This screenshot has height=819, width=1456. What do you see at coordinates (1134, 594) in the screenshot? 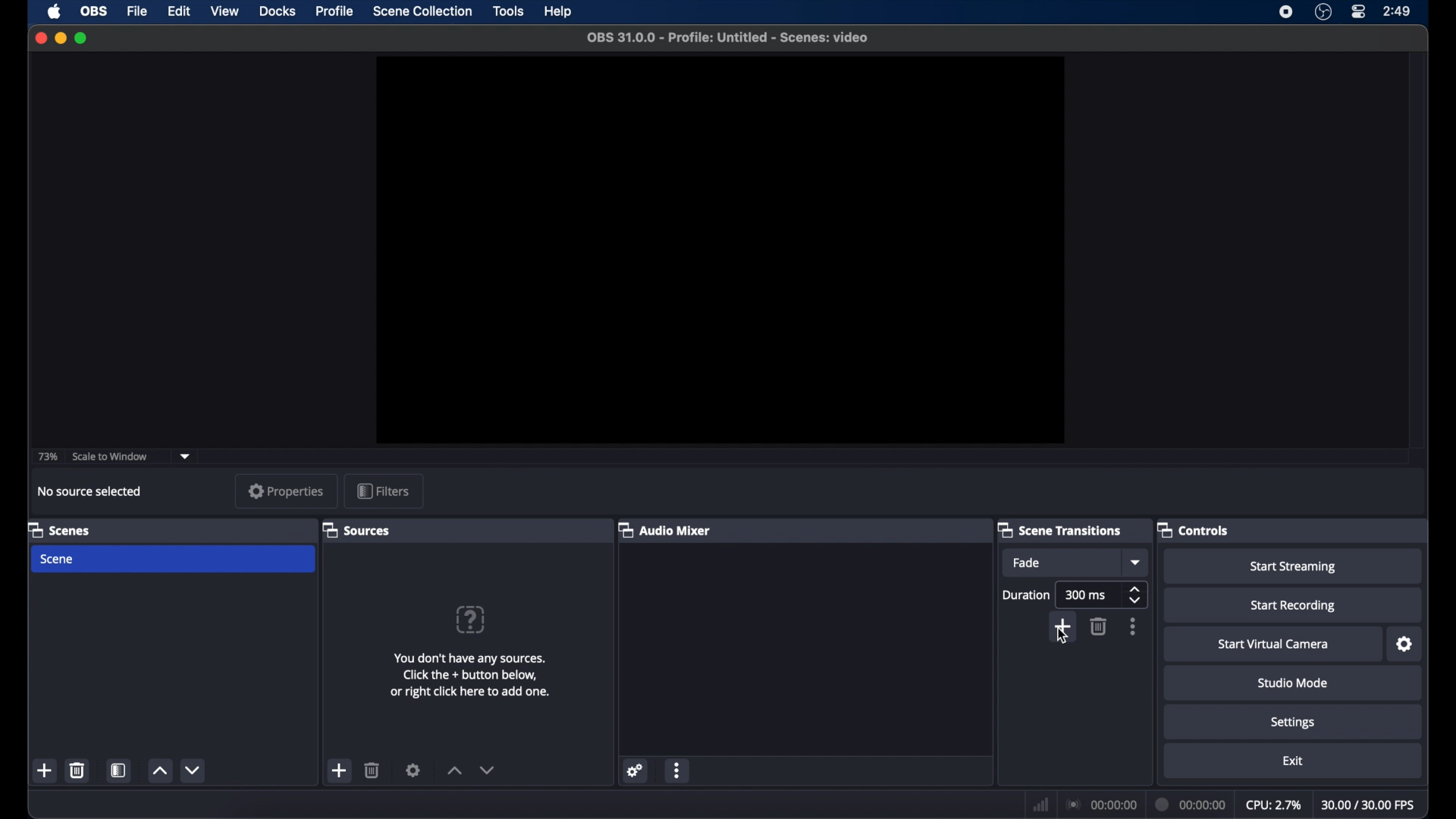
I see `stepper buttons` at bounding box center [1134, 594].